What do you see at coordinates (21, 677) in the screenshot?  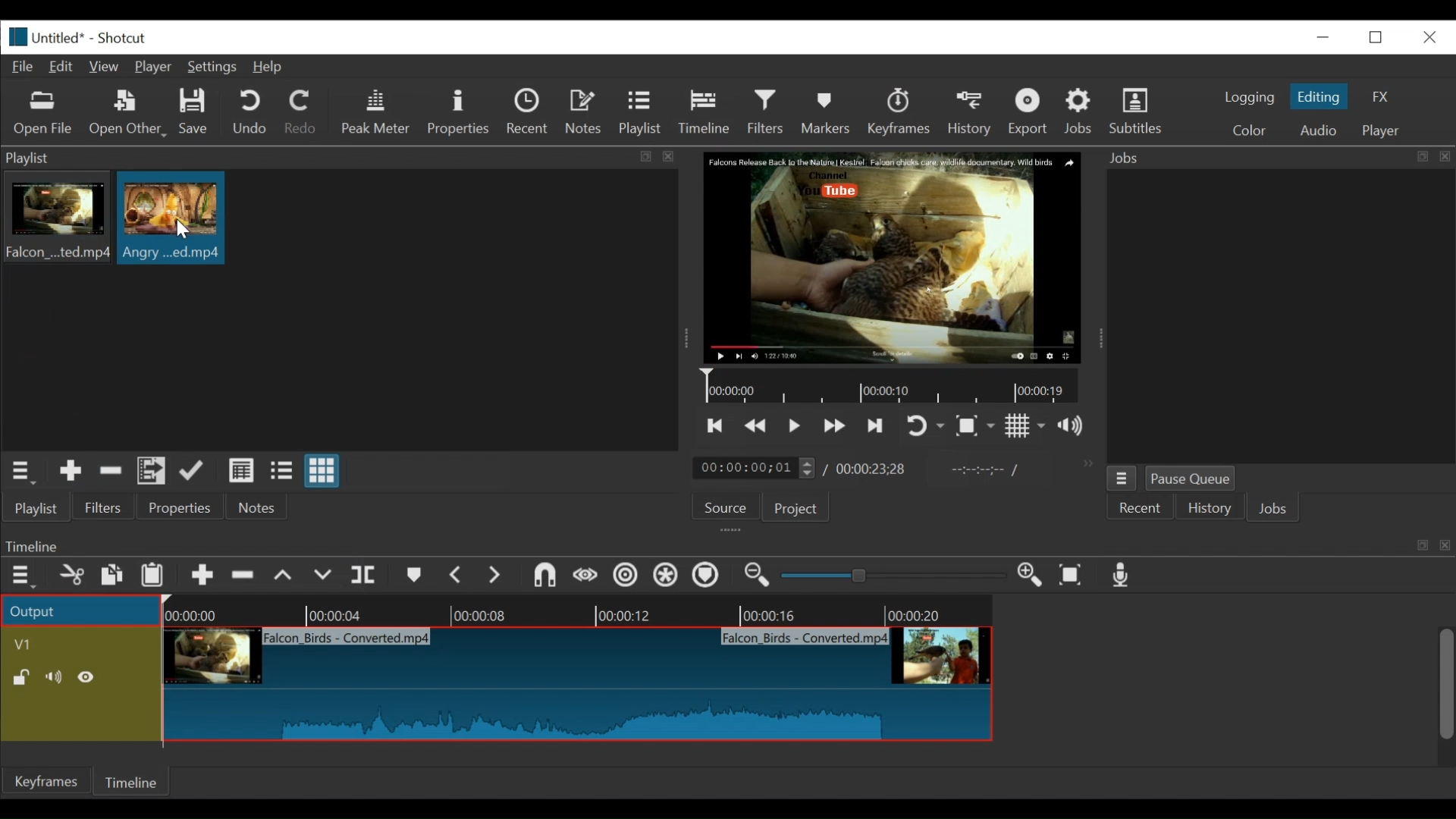 I see `(un)lock track` at bounding box center [21, 677].